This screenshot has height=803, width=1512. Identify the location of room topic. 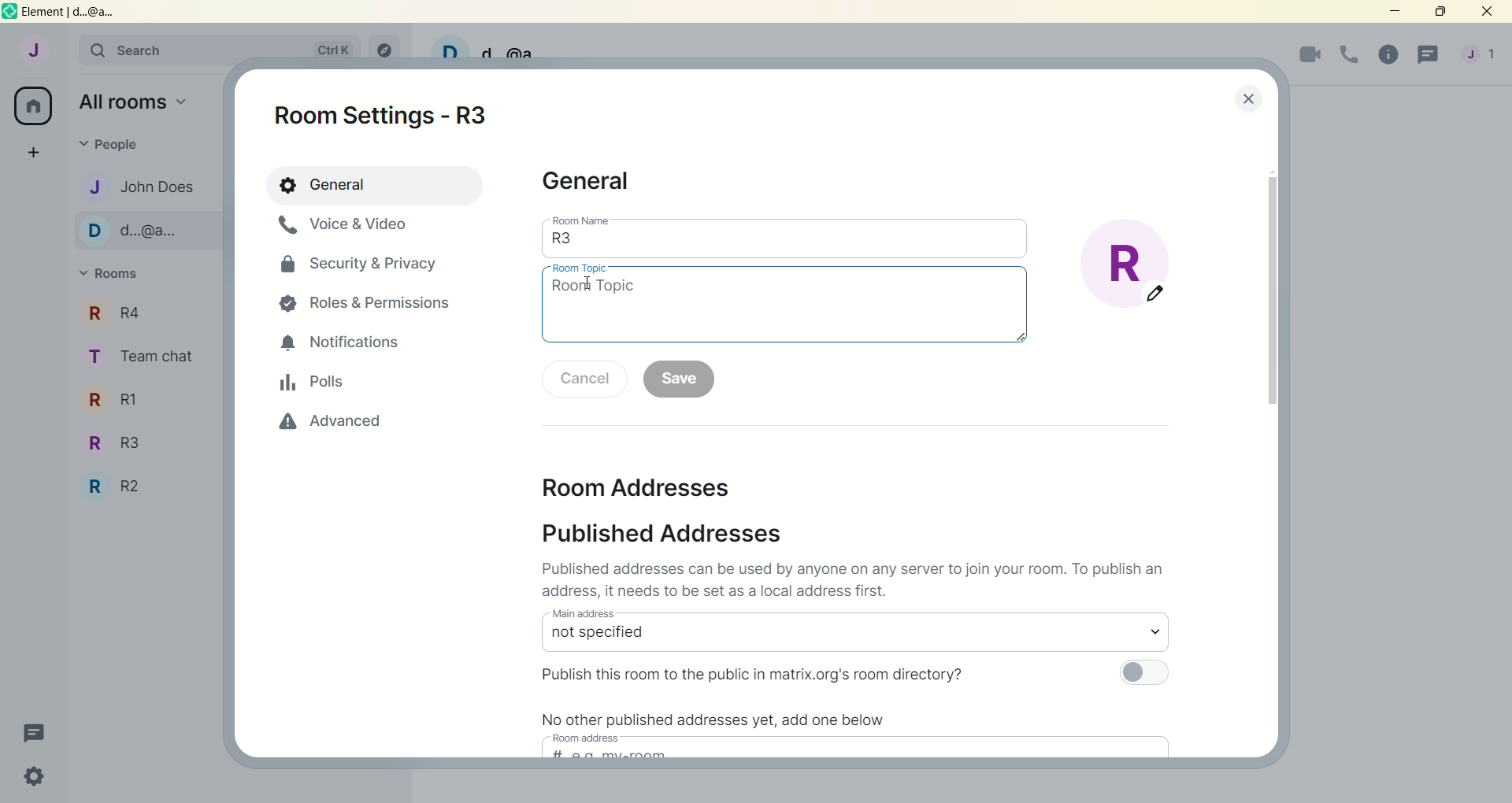
(786, 311).